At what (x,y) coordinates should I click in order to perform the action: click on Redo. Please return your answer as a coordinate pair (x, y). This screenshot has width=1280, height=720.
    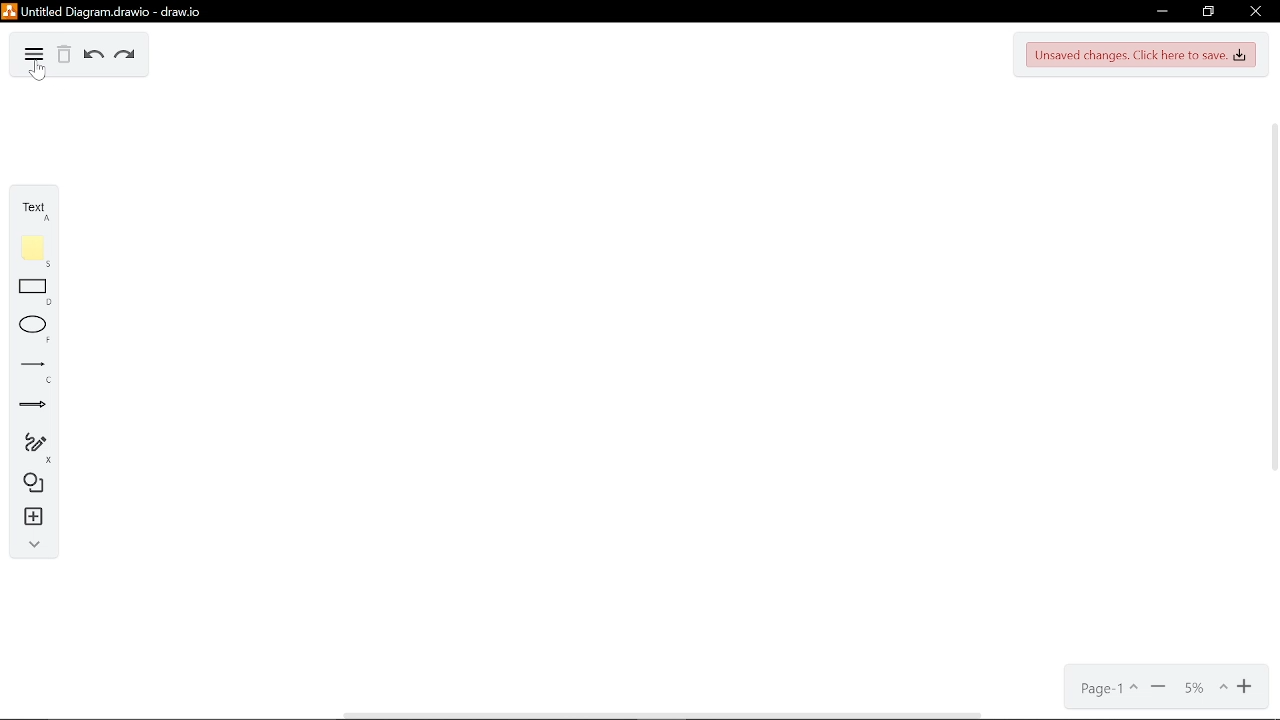
    Looking at the image, I should click on (123, 58).